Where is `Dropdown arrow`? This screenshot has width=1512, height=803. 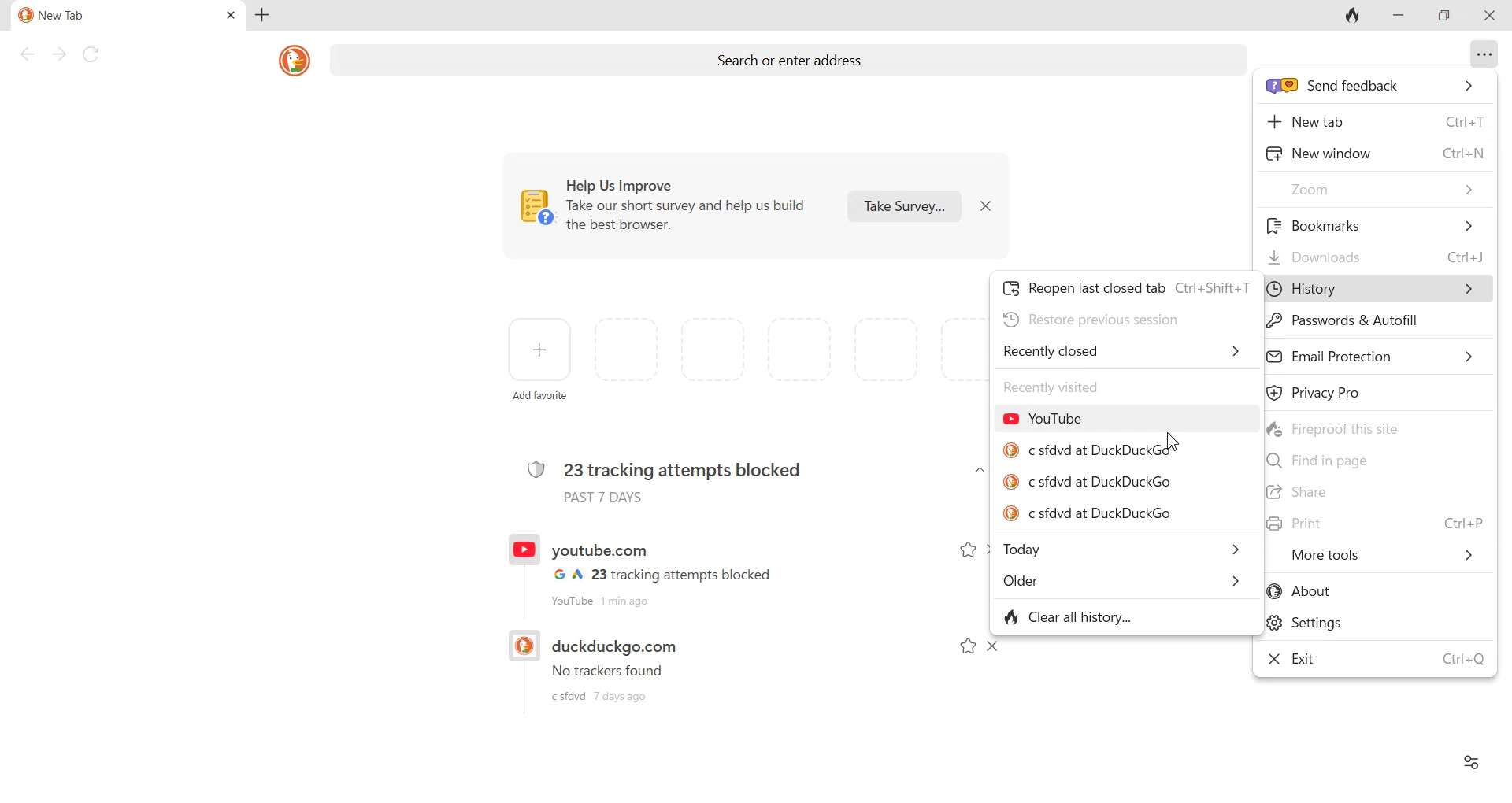
Dropdown arrow is located at coordinates (980, 470).